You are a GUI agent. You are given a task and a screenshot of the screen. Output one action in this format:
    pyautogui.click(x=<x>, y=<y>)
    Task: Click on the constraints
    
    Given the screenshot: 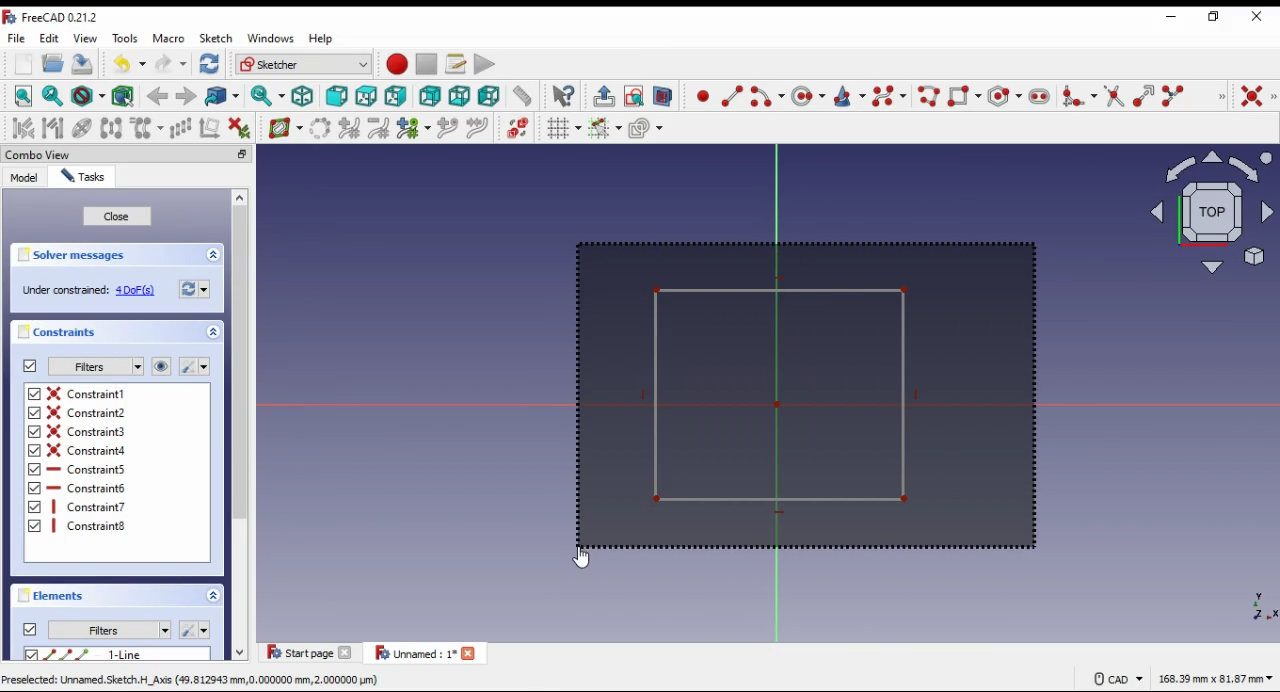 What is the action you would take?
    pyautogui.click(x=62, y=333)
    